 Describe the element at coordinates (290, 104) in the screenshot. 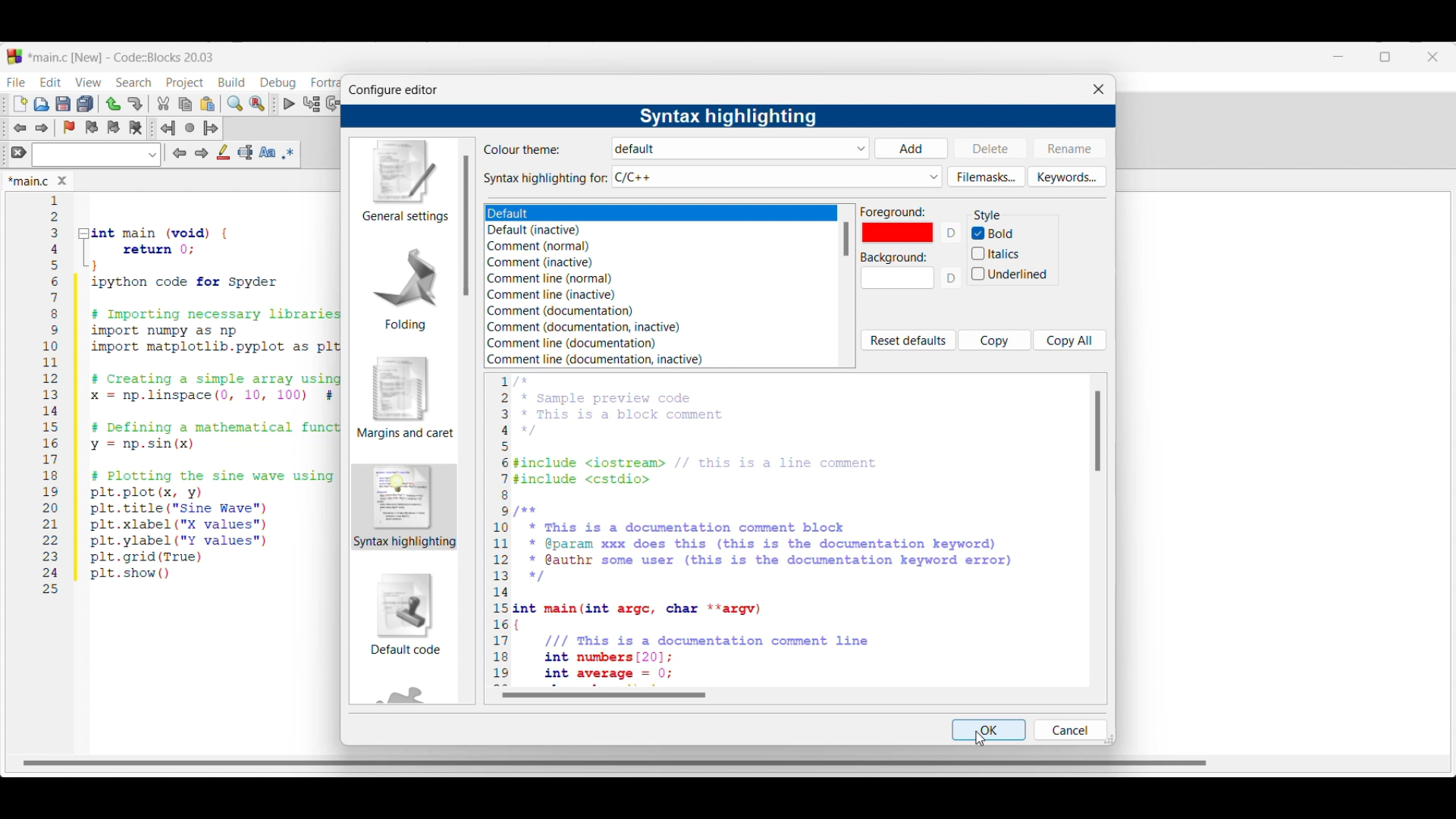

I see `Debug/Continue` at that location.